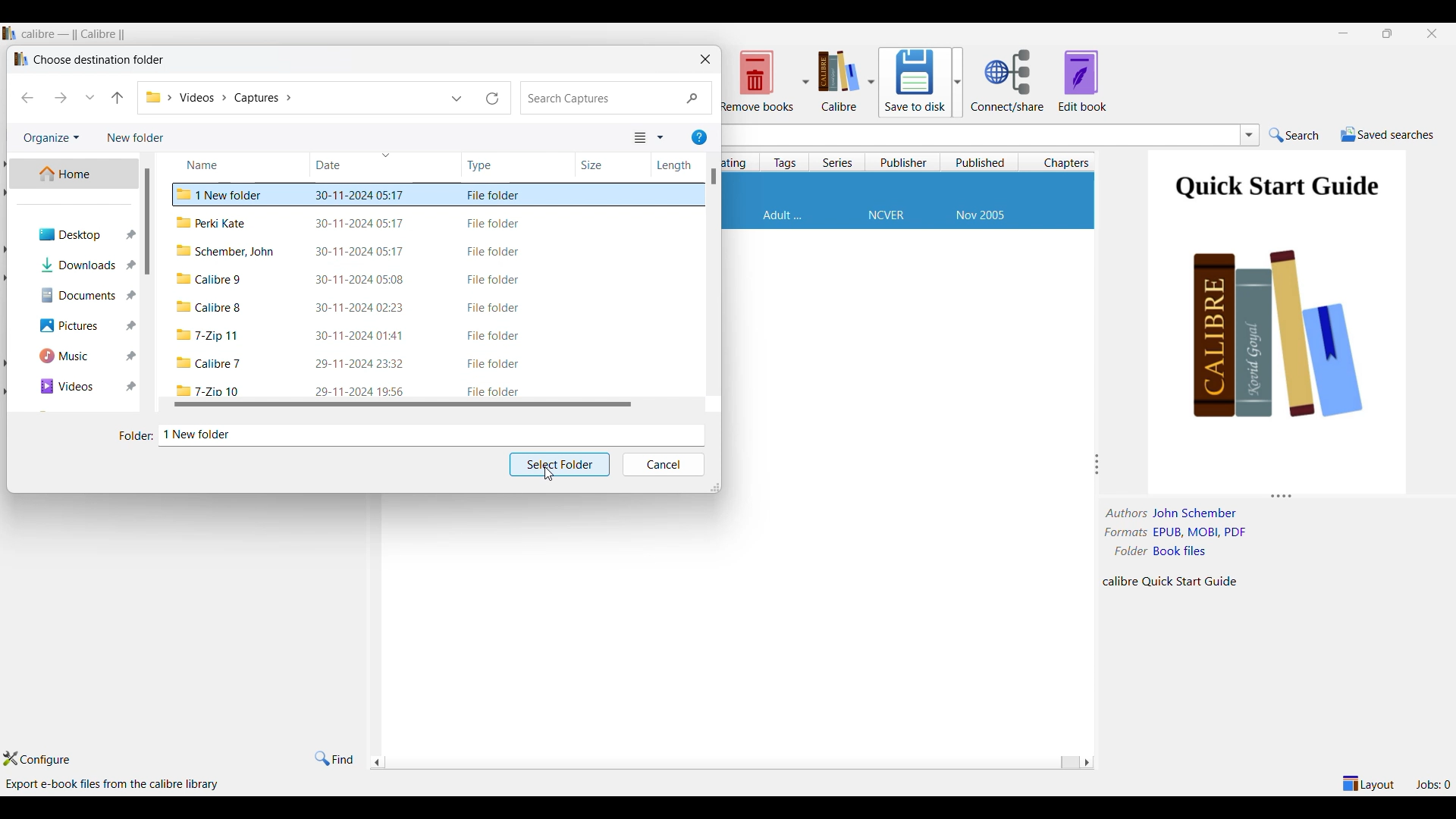 This screenshot has width=1456, height=819. Describe the element at coordinates (115, 784) in the screenshot. I see `Description of current selection by cursor` at that location.